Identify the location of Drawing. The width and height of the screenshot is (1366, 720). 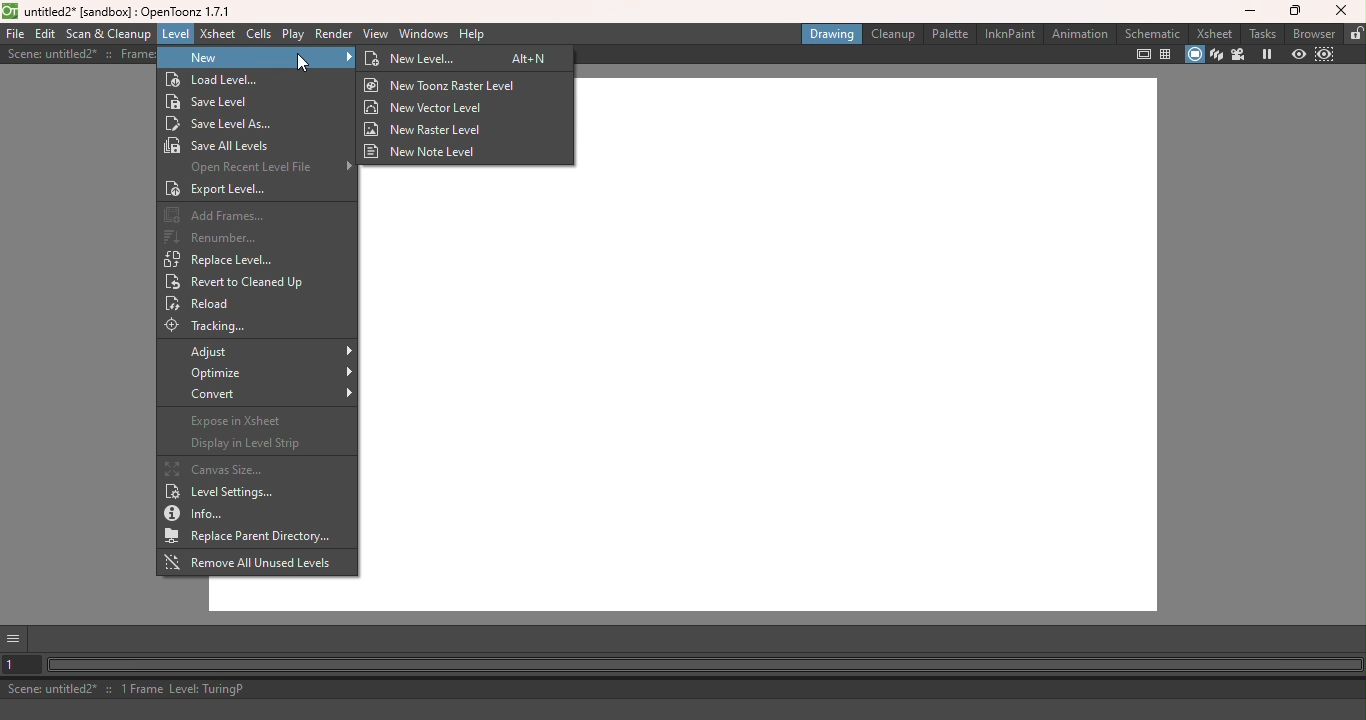
(832, 34).